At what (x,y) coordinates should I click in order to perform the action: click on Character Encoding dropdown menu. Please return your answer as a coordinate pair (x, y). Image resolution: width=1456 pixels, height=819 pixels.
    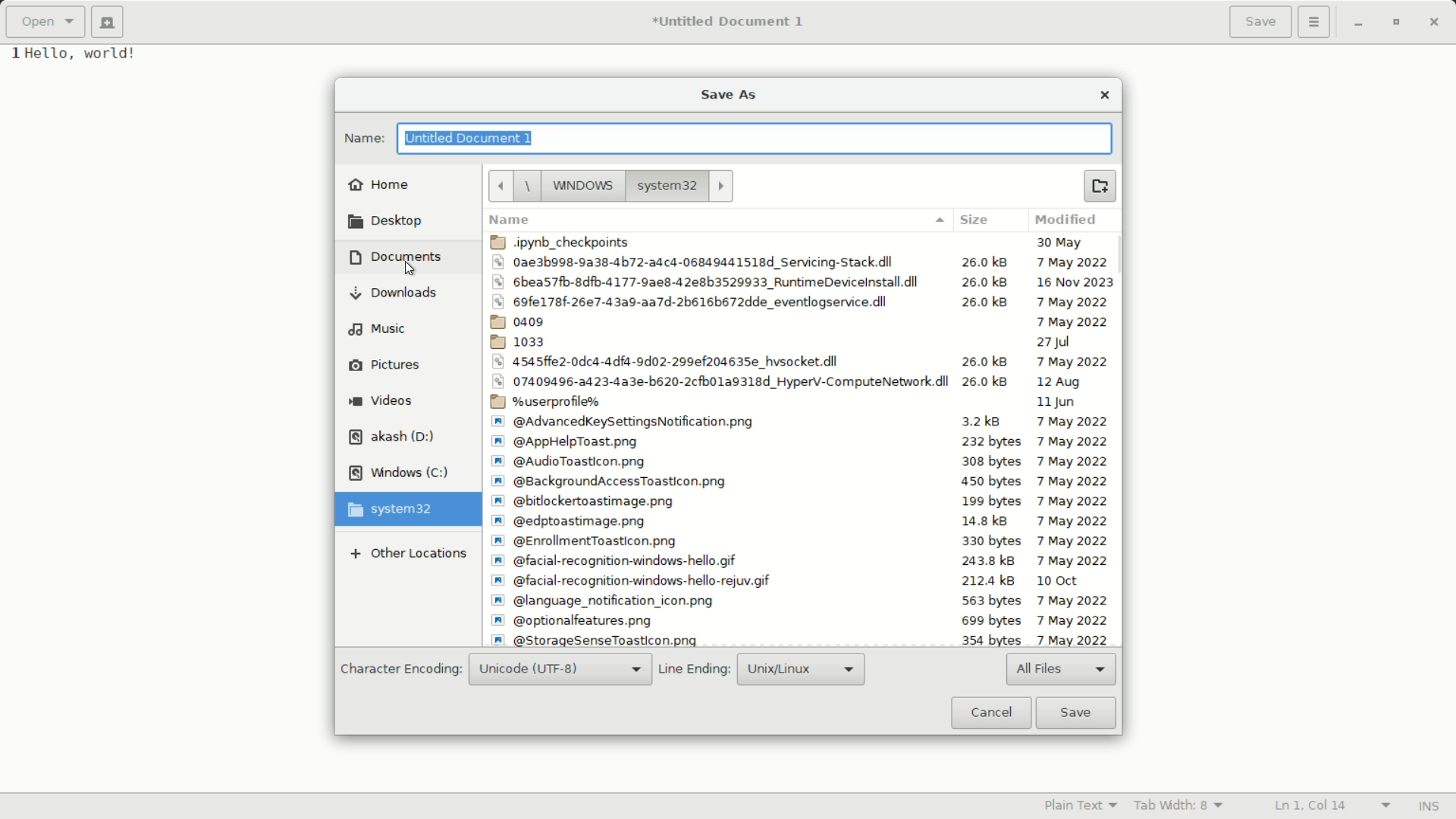
    Looking at the image, I should click on (560, 670).